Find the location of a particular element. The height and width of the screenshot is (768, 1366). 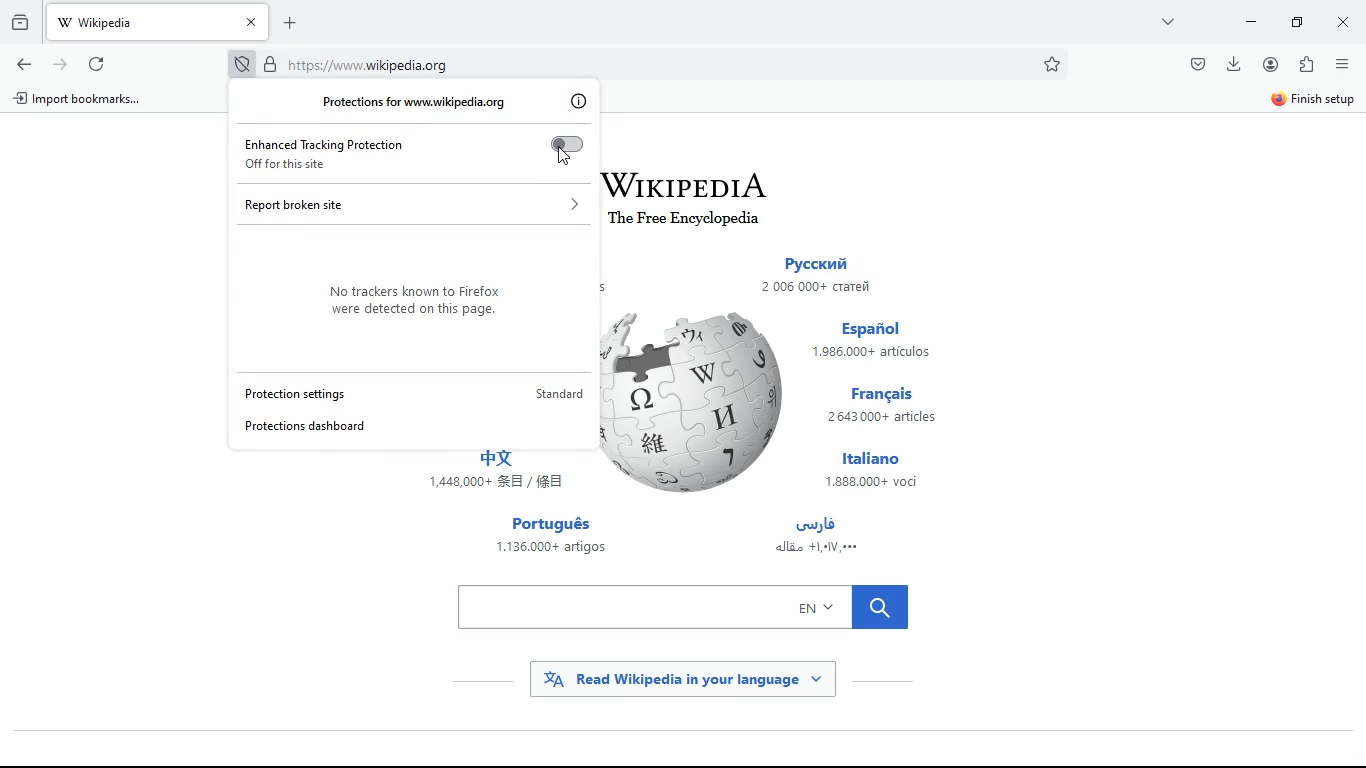

favorite is located at coordinates (1052, 65).